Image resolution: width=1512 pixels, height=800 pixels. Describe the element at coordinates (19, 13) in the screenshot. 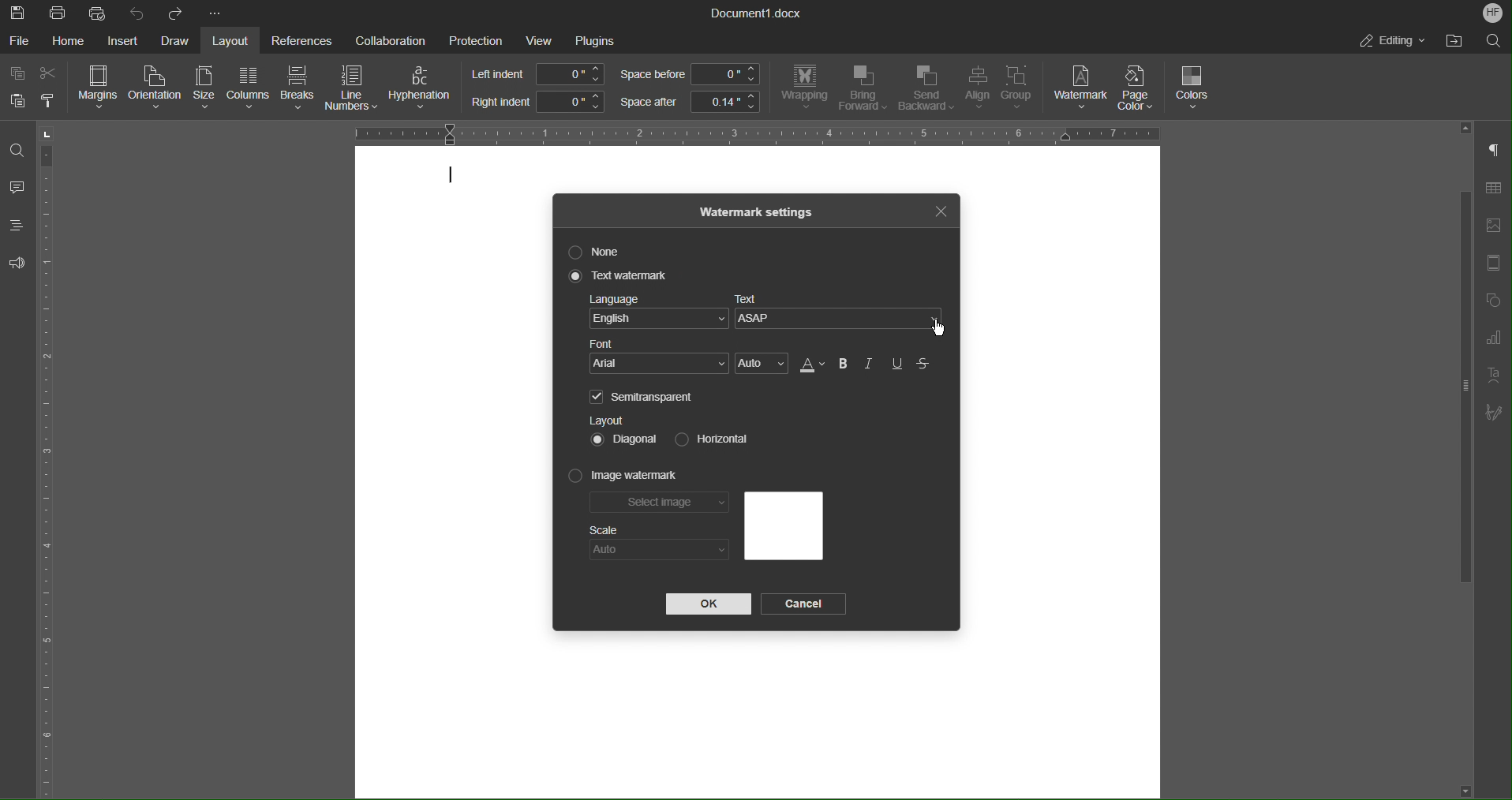

I see `Save` at that location.